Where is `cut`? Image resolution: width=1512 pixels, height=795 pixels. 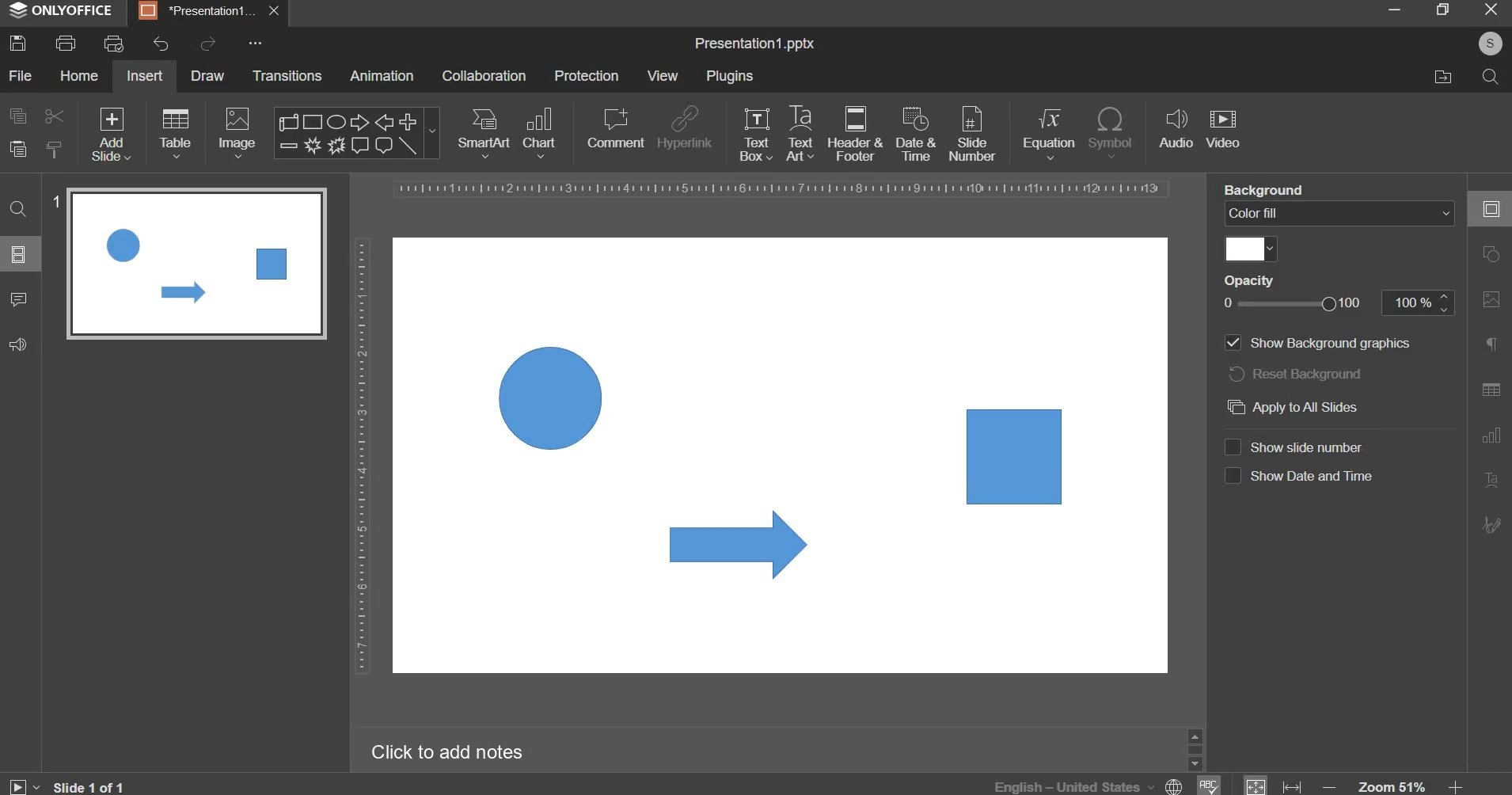 cut is located at coordinates (53, 115).